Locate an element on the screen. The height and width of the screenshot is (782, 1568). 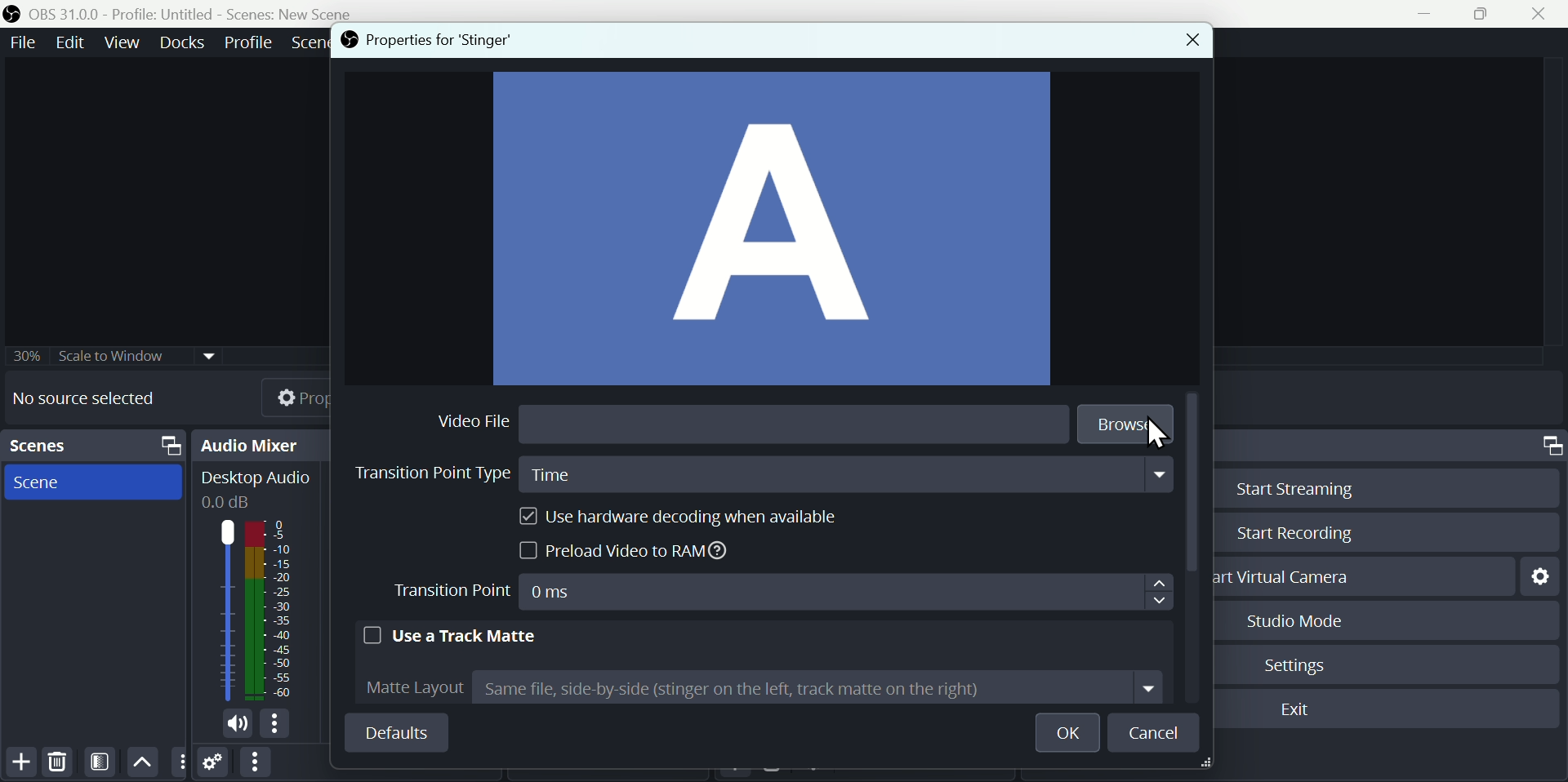
Transition point is located at coordinates (454, 593).